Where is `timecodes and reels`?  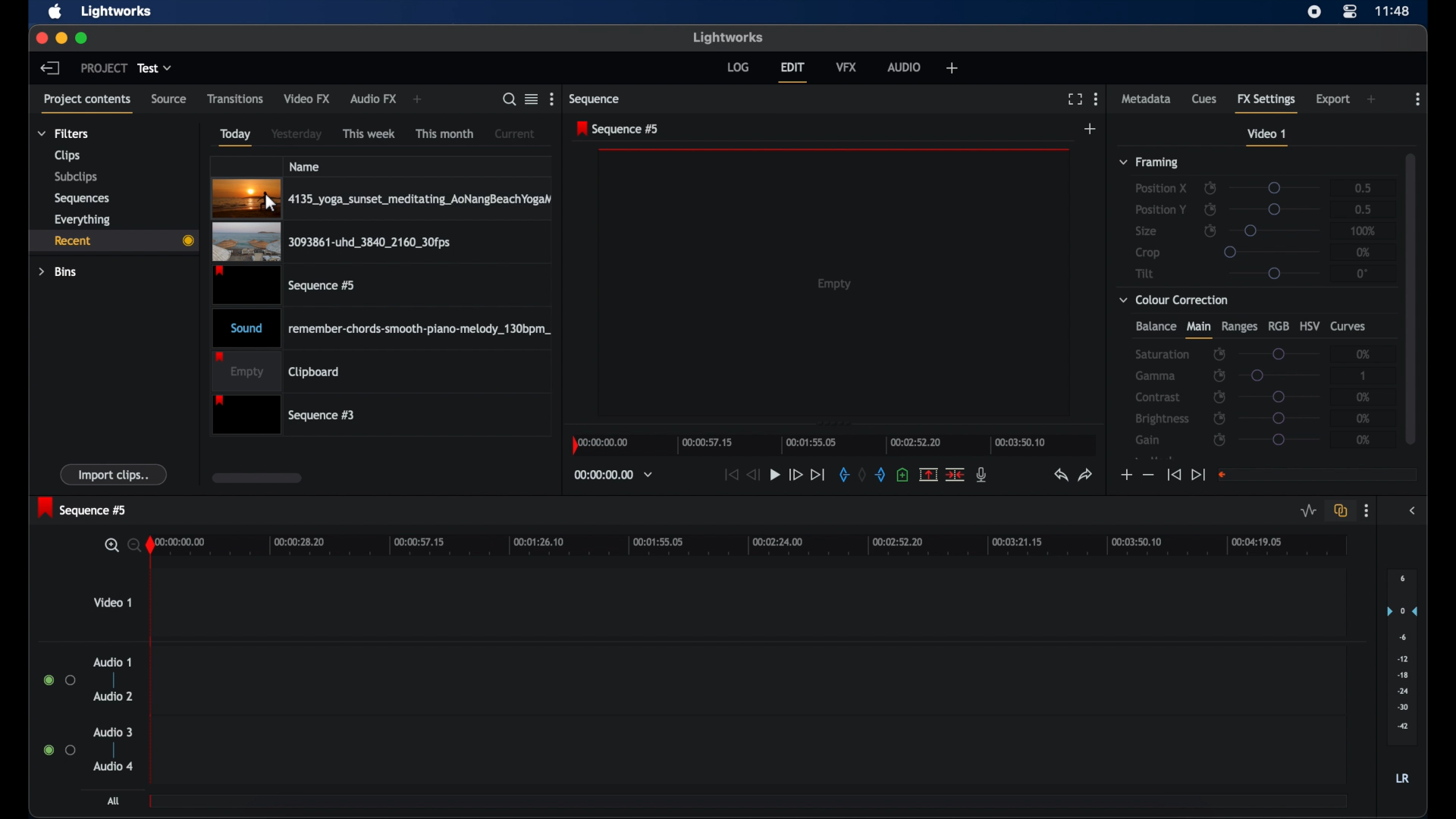 timecodes and reels is located at coordinates (613, 475).